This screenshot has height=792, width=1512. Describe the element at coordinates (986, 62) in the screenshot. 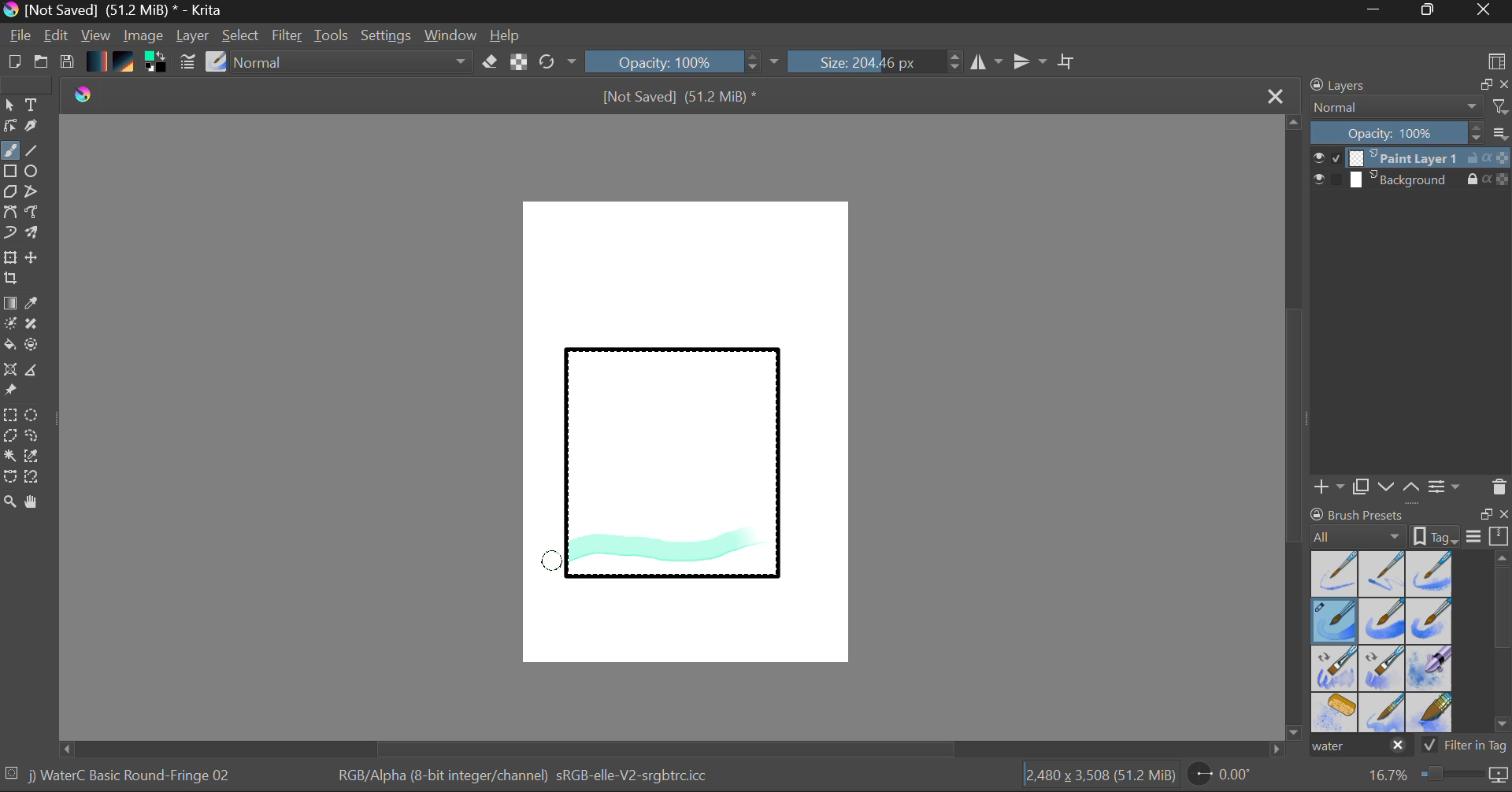

I see `Vertical Mirror Flip` at that location.